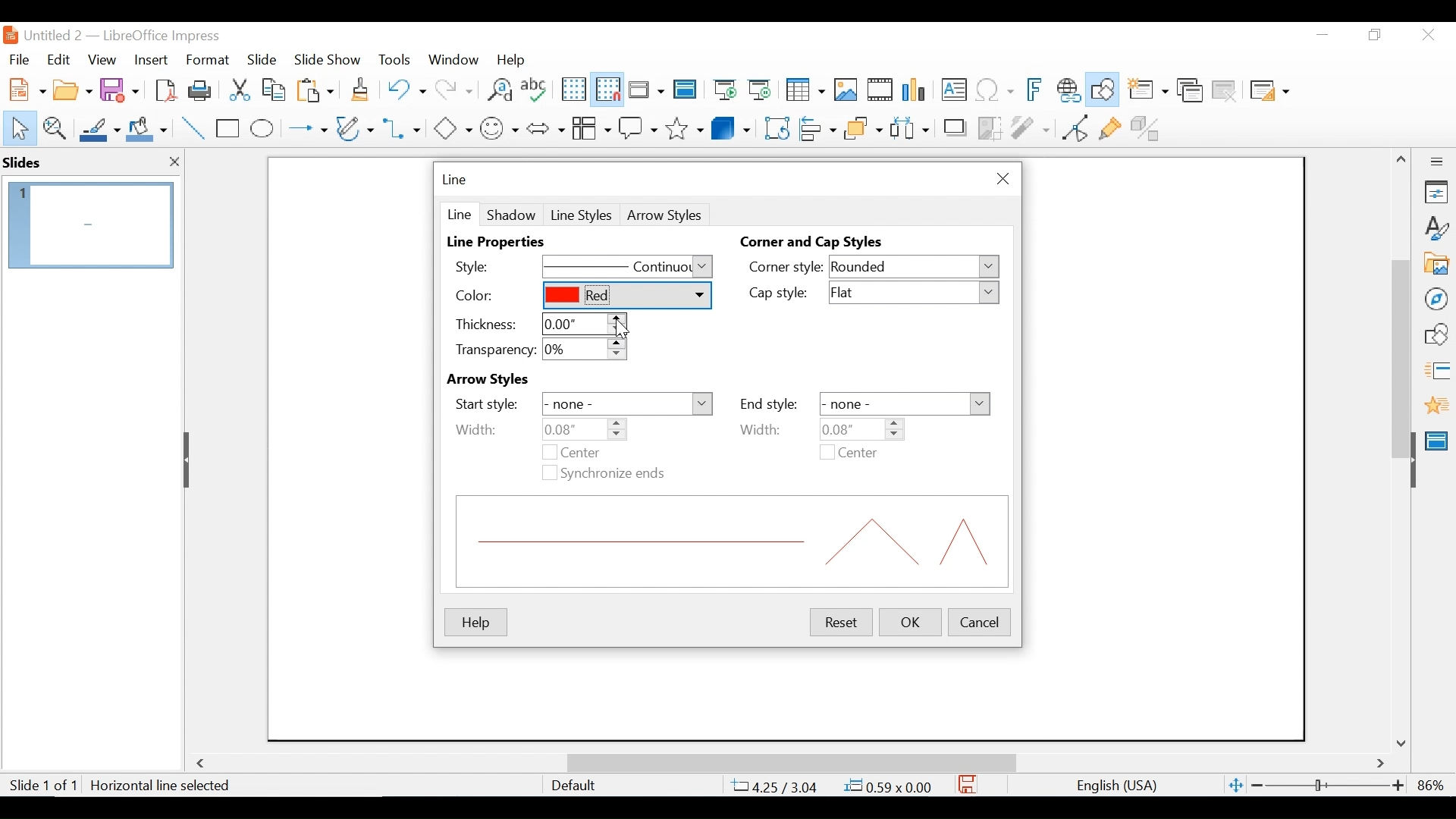 The image size is (1456, 819). Describe the element at coordinates (626, 296) in the screenshot. I see `Red` at that location.